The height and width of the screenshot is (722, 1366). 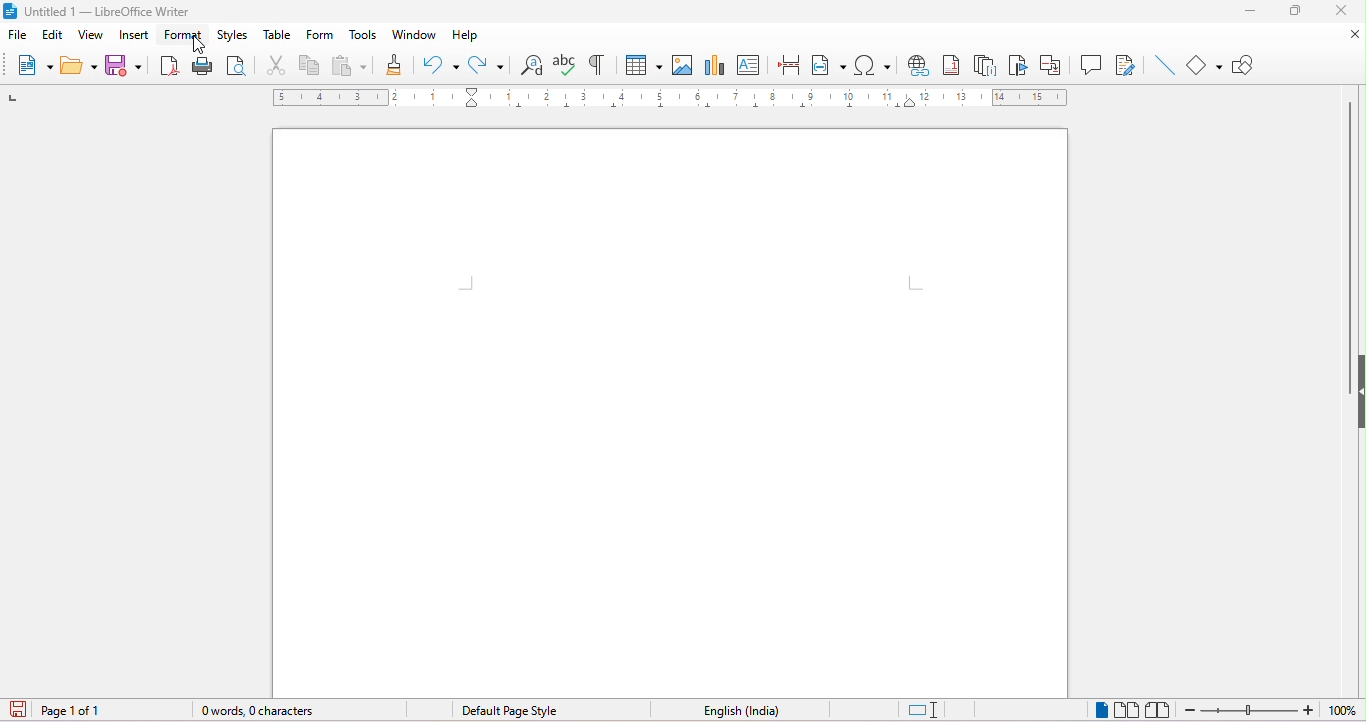 What do you see at coordinates (832, 62) in the screenshot?
I see `field` at bounding box center [832, 62].